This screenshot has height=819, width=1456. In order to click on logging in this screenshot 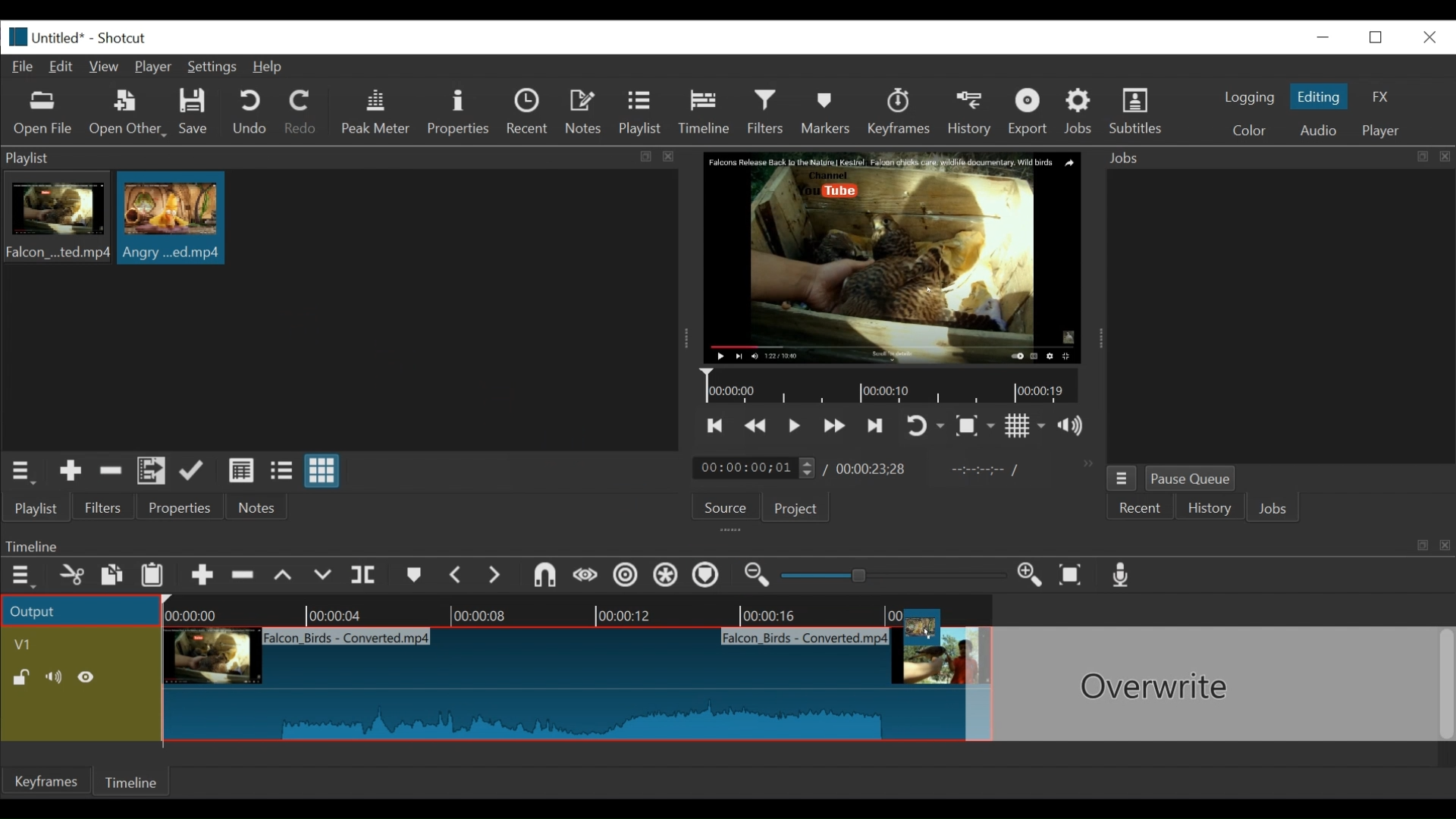, I will do `click(1248, 97)`.